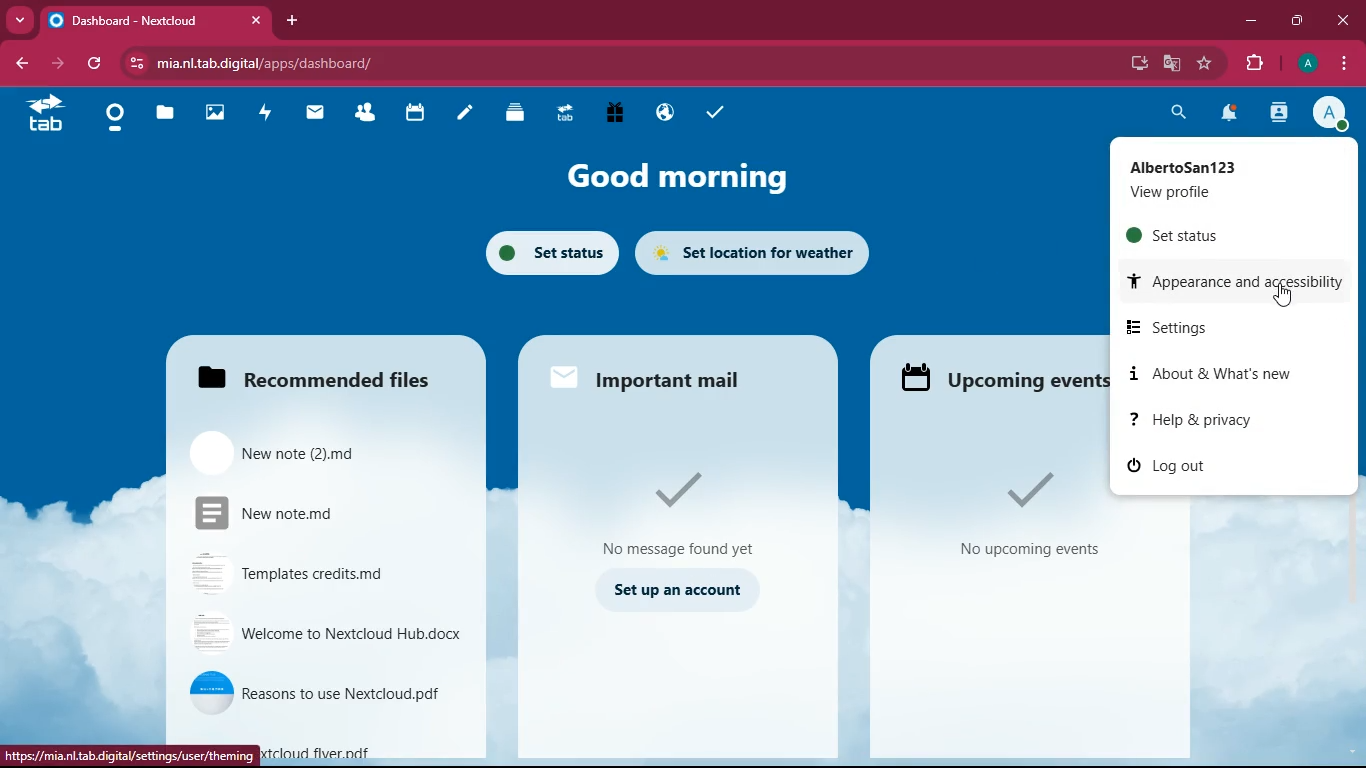  What do you see at coordinates (511, 114) in the screenshot?
I see `layers` at bounding box center [511, 114].